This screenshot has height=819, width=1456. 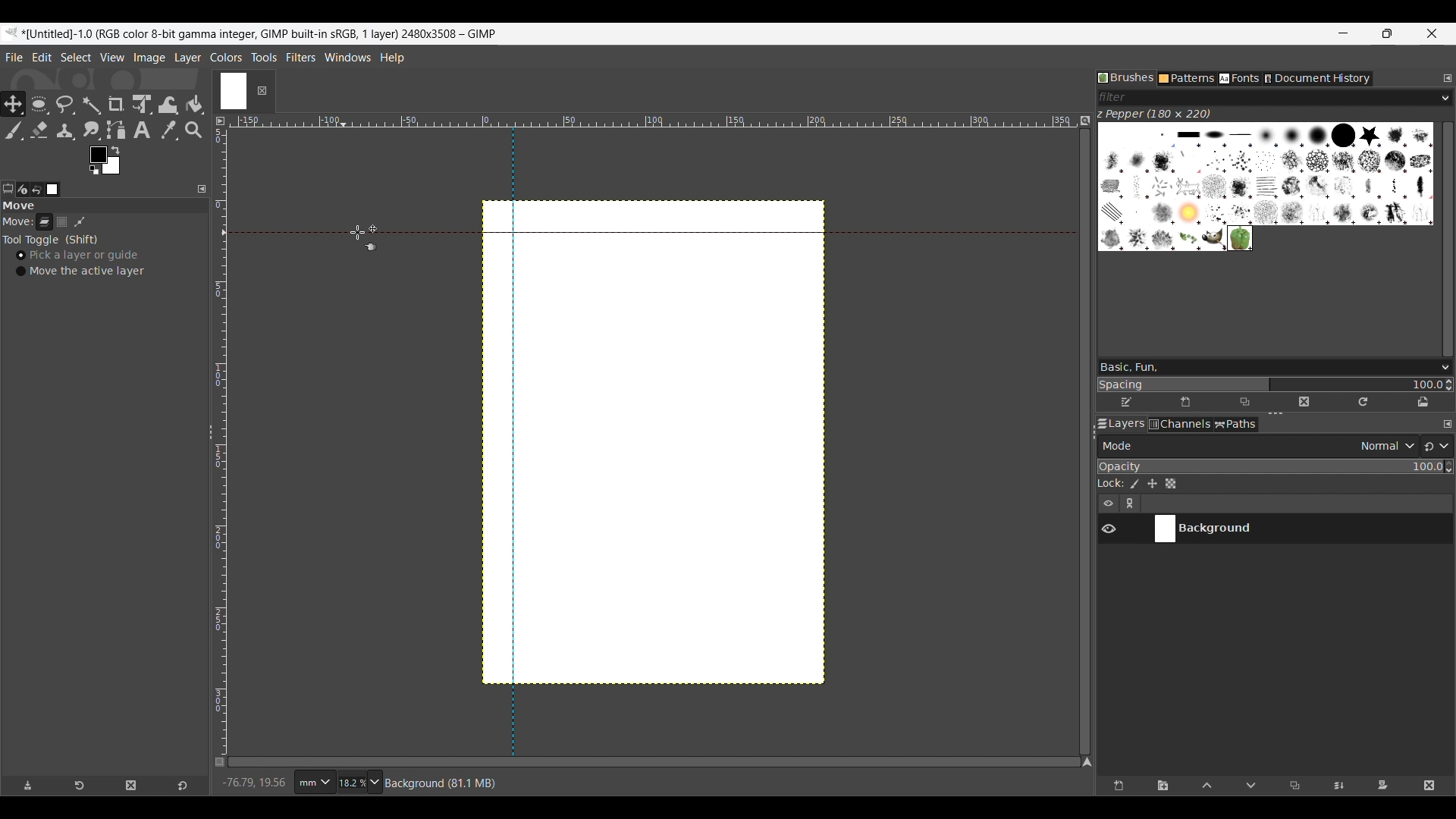 I want to click on Edit menu, so click(x=42, y=57).